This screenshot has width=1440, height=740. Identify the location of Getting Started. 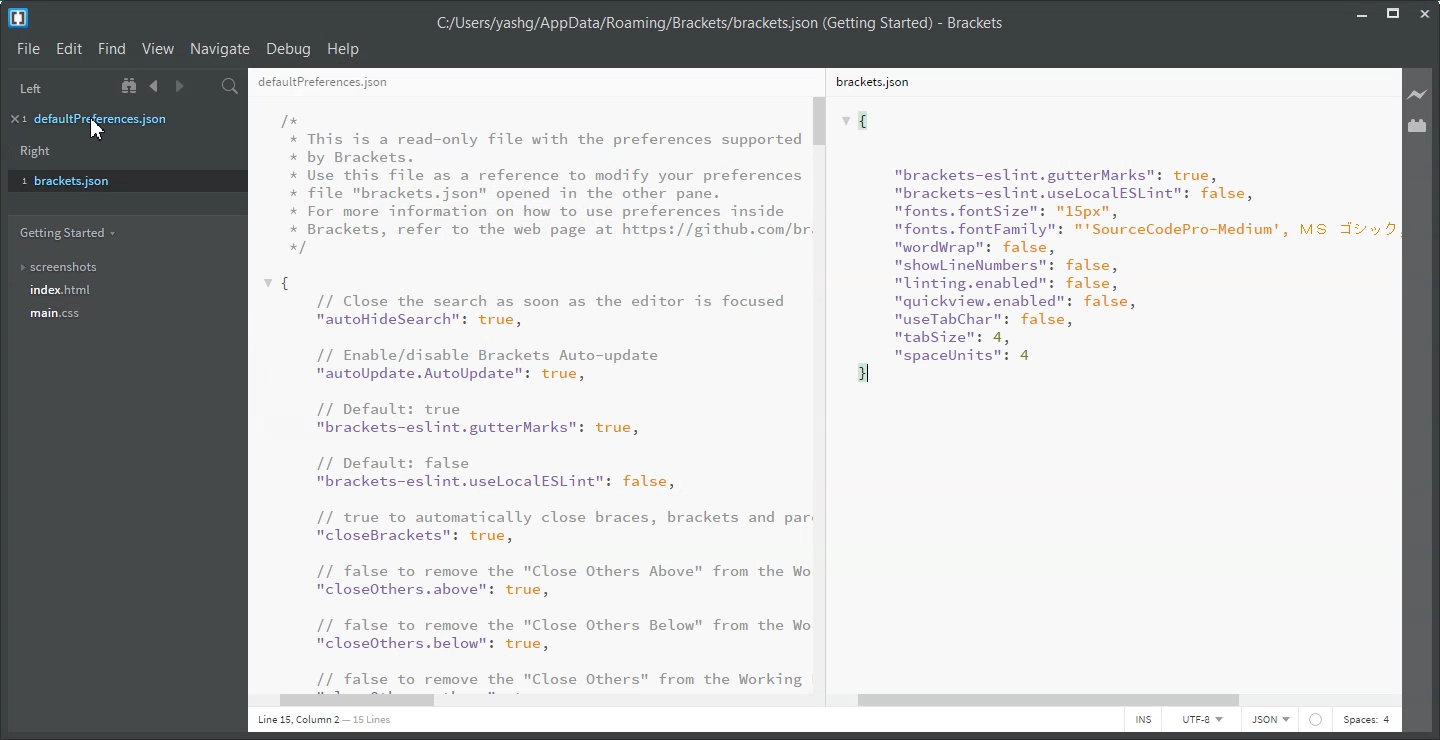
(67, 232).